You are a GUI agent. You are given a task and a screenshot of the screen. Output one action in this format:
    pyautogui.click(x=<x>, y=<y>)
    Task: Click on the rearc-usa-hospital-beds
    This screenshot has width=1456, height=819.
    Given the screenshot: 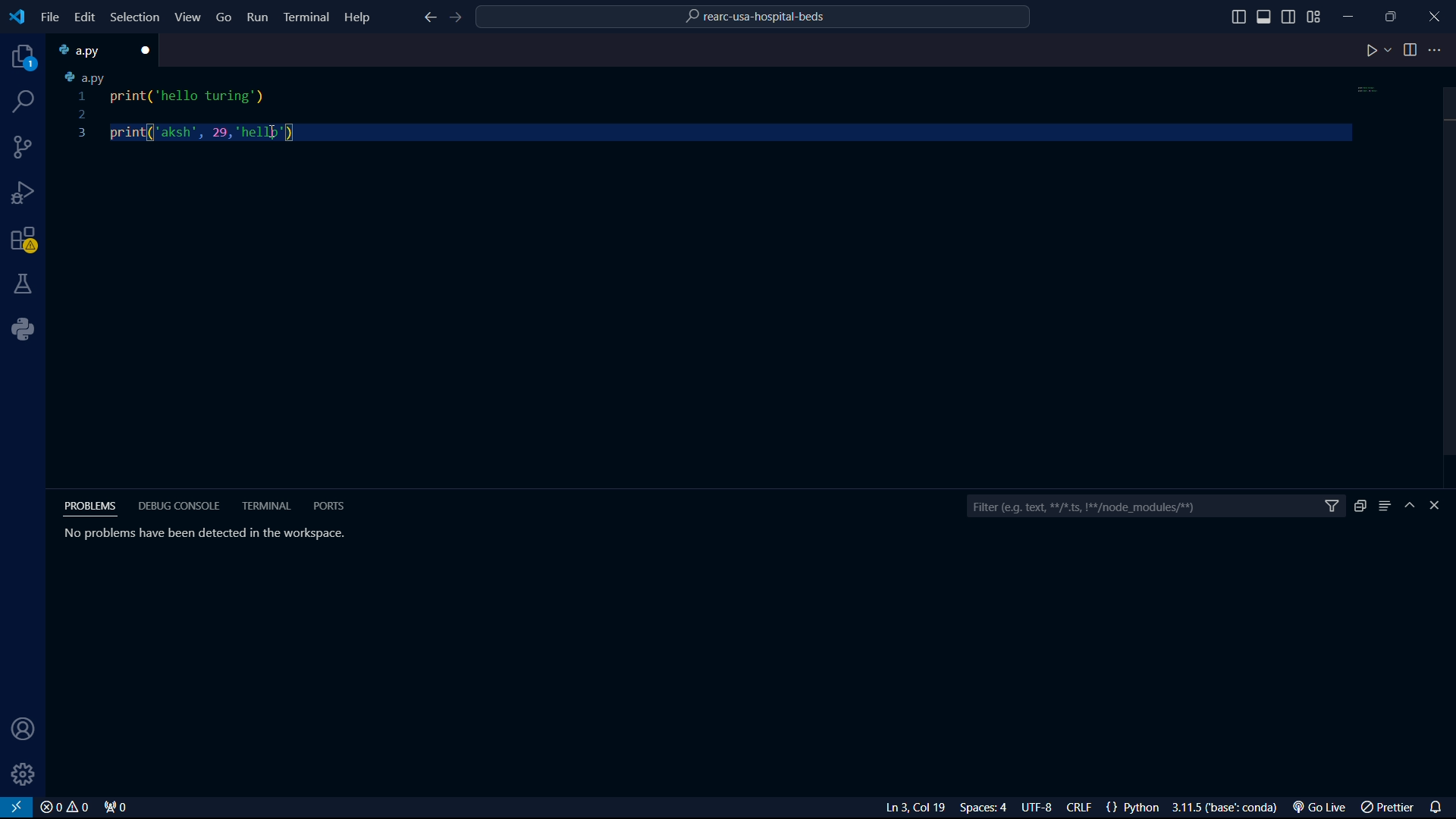 What is the action you would take?
    pyautogui.click(x=755, y=19)
    